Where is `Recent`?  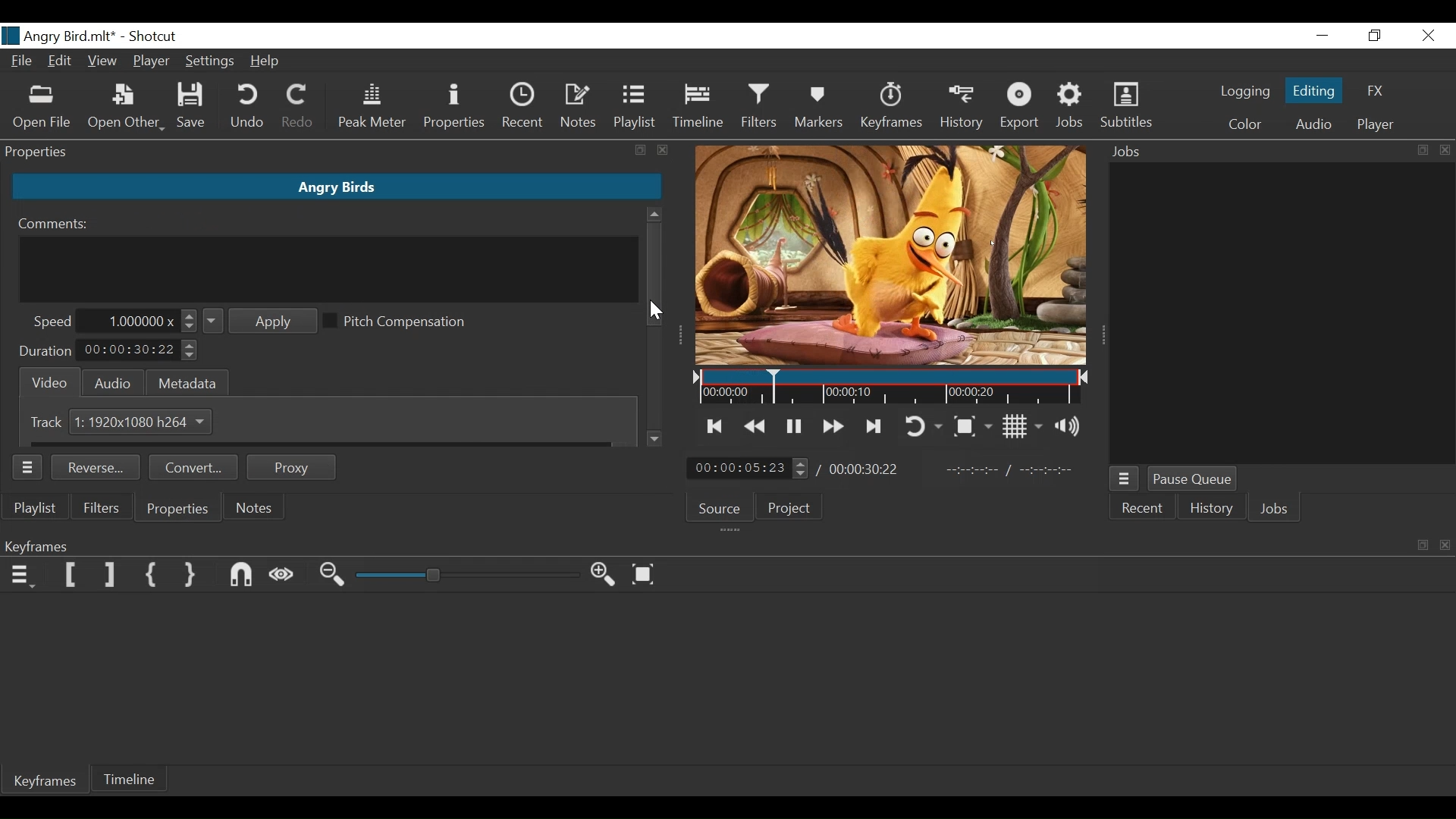 Recent is located at coordinates (1144, 510).